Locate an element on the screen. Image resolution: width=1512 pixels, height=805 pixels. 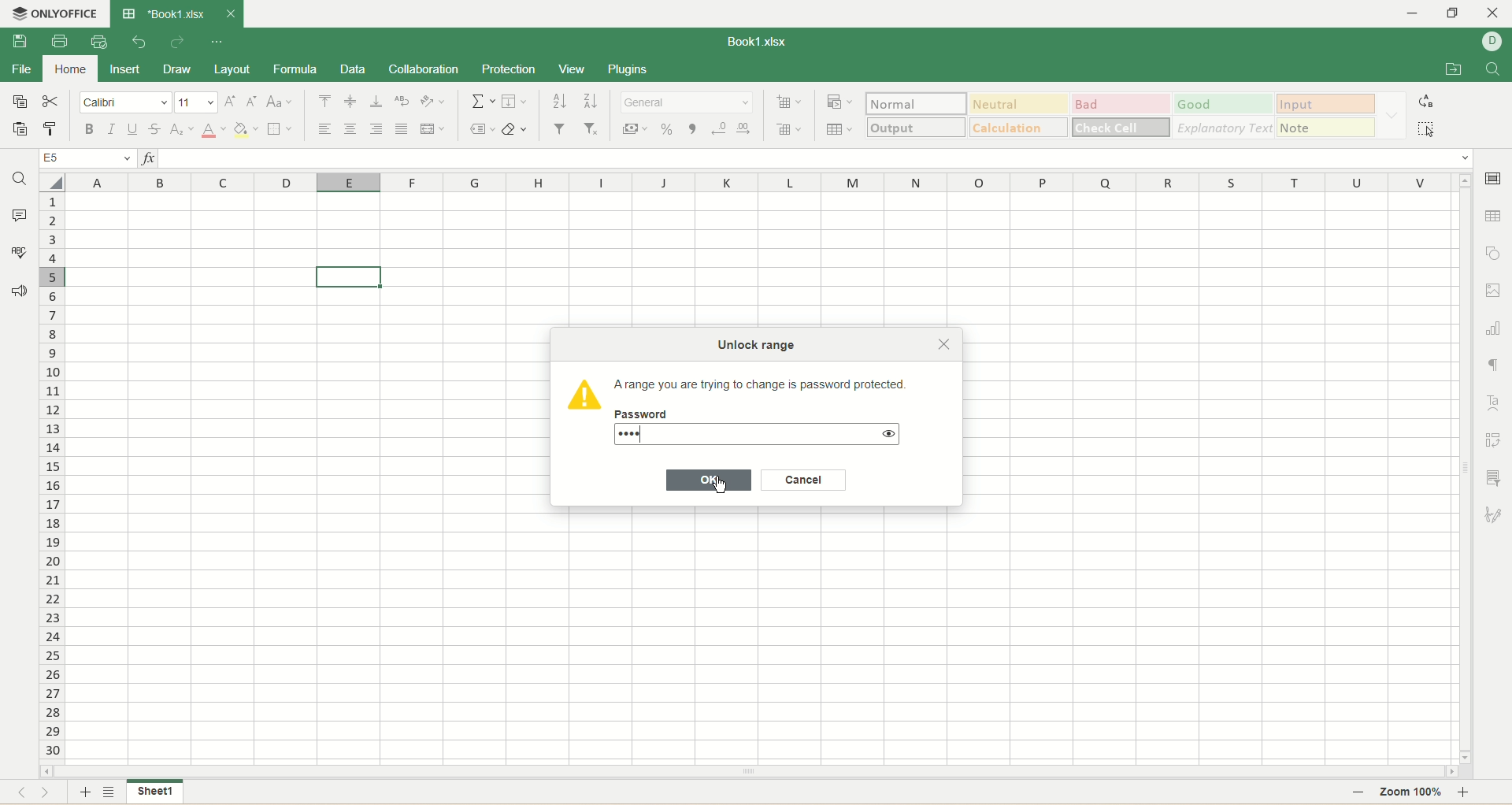
align right is located at coordinates (379, 128).